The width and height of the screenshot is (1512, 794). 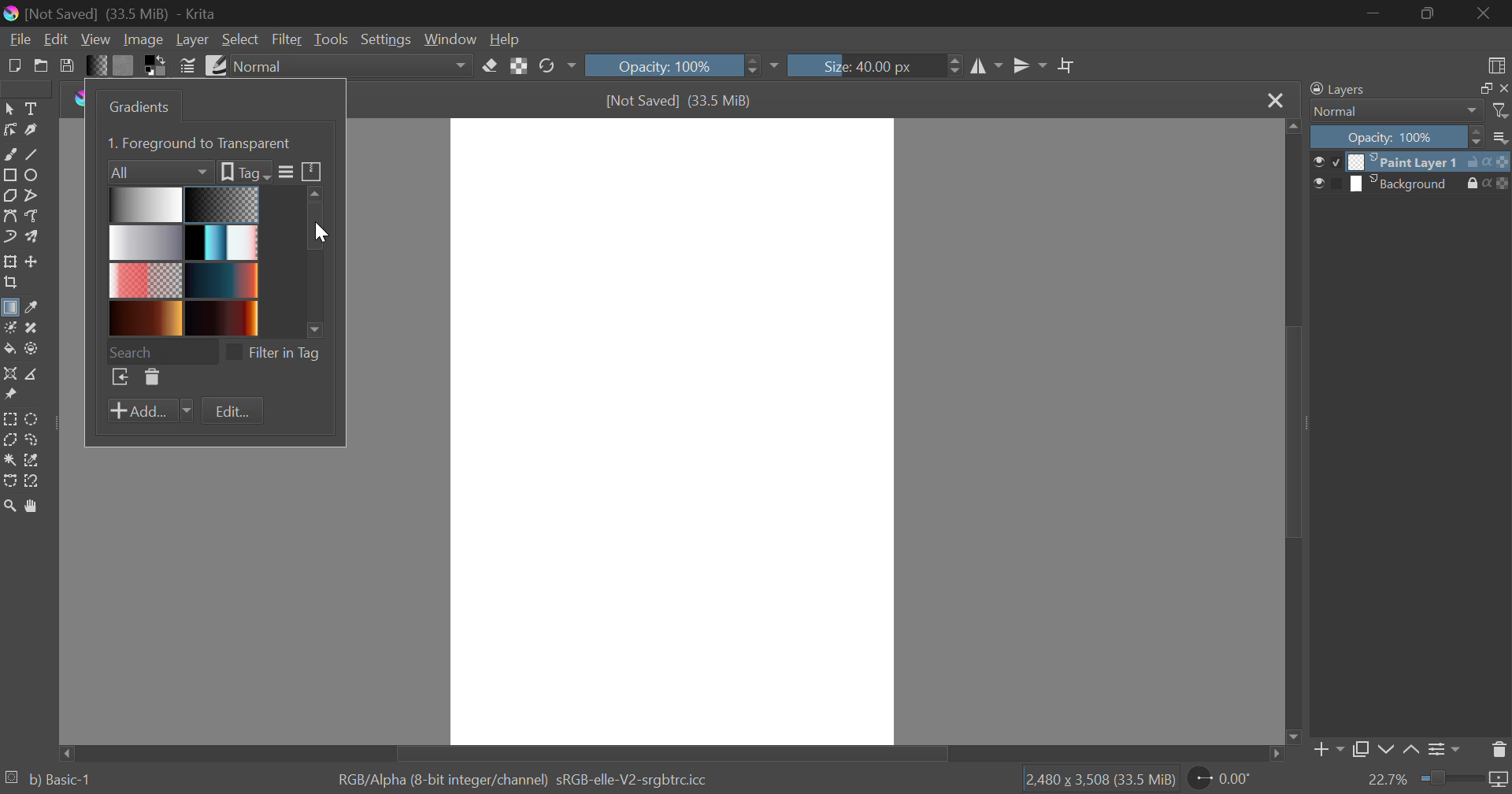 What do you see at coordinates (987, 68) in the screenshot?
I see `Vertical Mirror Flip` at bounding box center [987, 68].